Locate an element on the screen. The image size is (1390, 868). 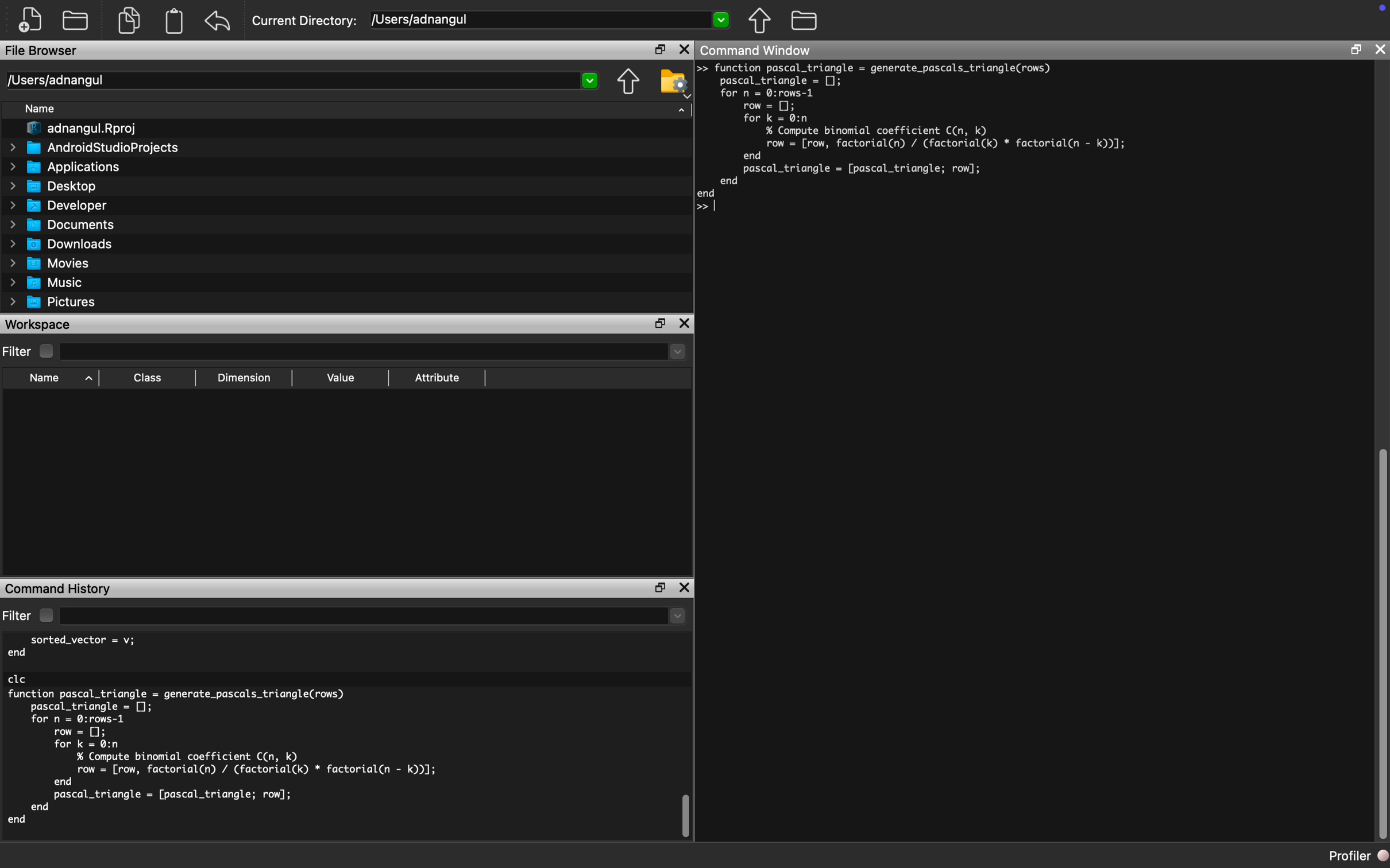
Restore Down is located at coordinates (1354, 50).